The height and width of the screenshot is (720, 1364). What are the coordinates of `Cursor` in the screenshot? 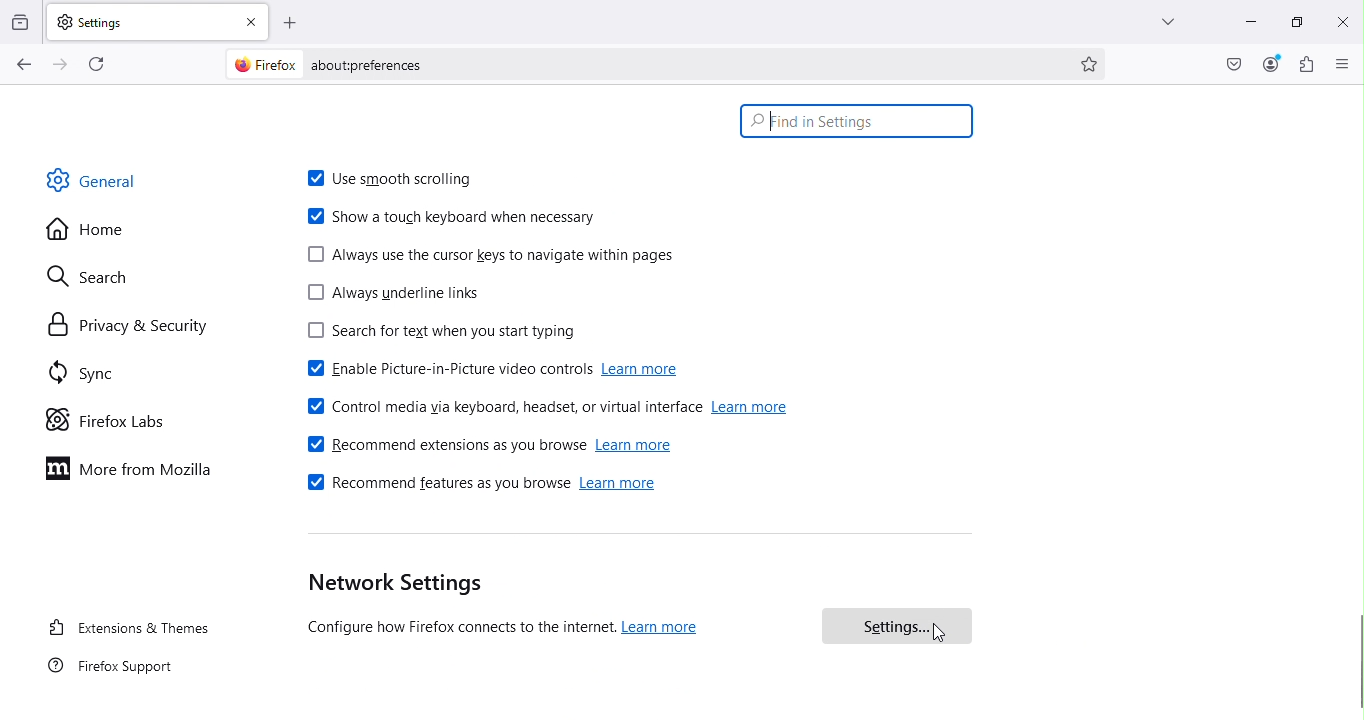 It's located at (939, 634).